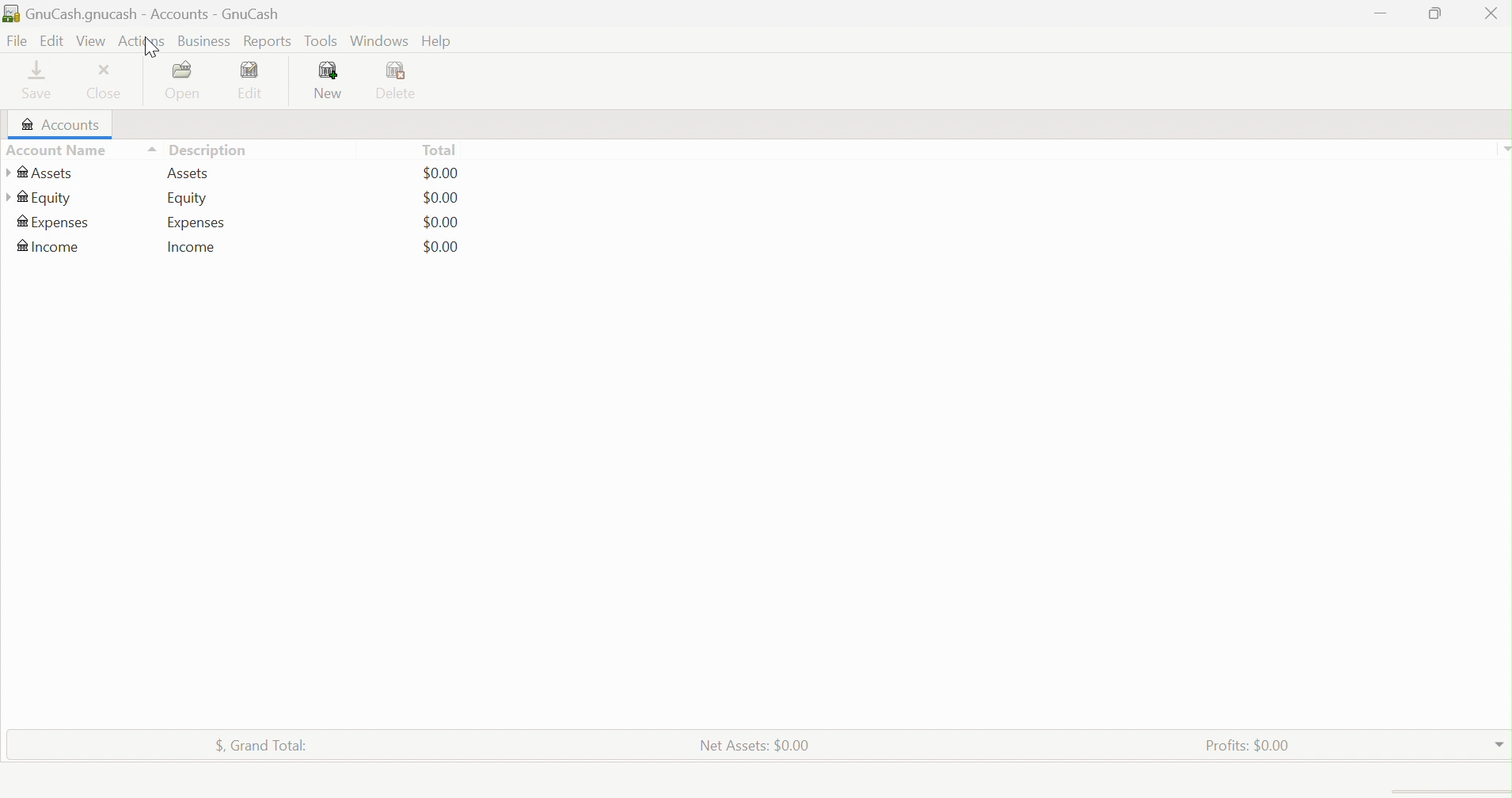  What do you see at coordinates (15, 41) in the screenshot?
I see `File` at bounding box center [15, 41].